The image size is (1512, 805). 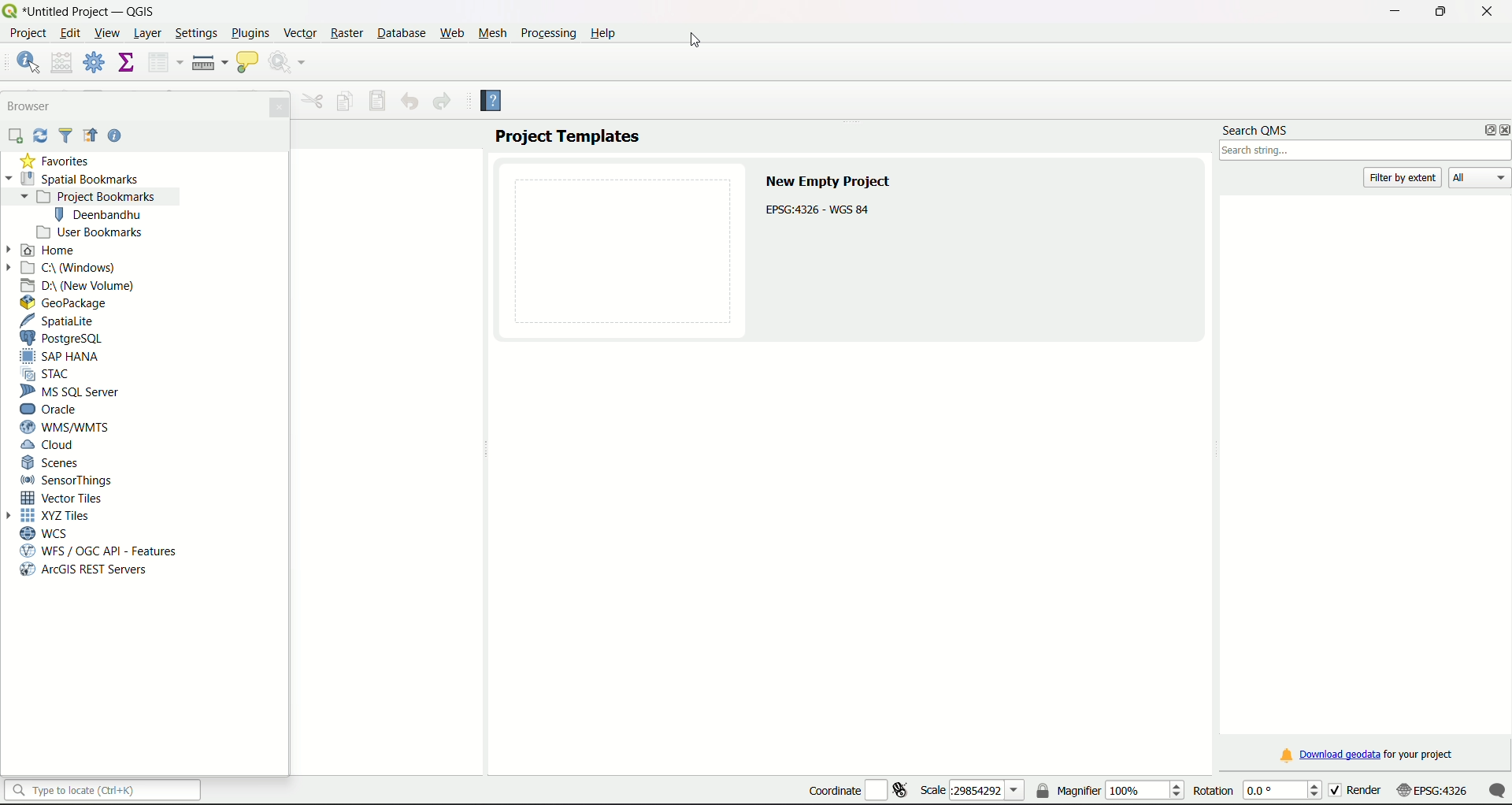 What do you see at coordinates (31, 106) in the screenshot?
I see `Browser` at bounding box center [31, 106].